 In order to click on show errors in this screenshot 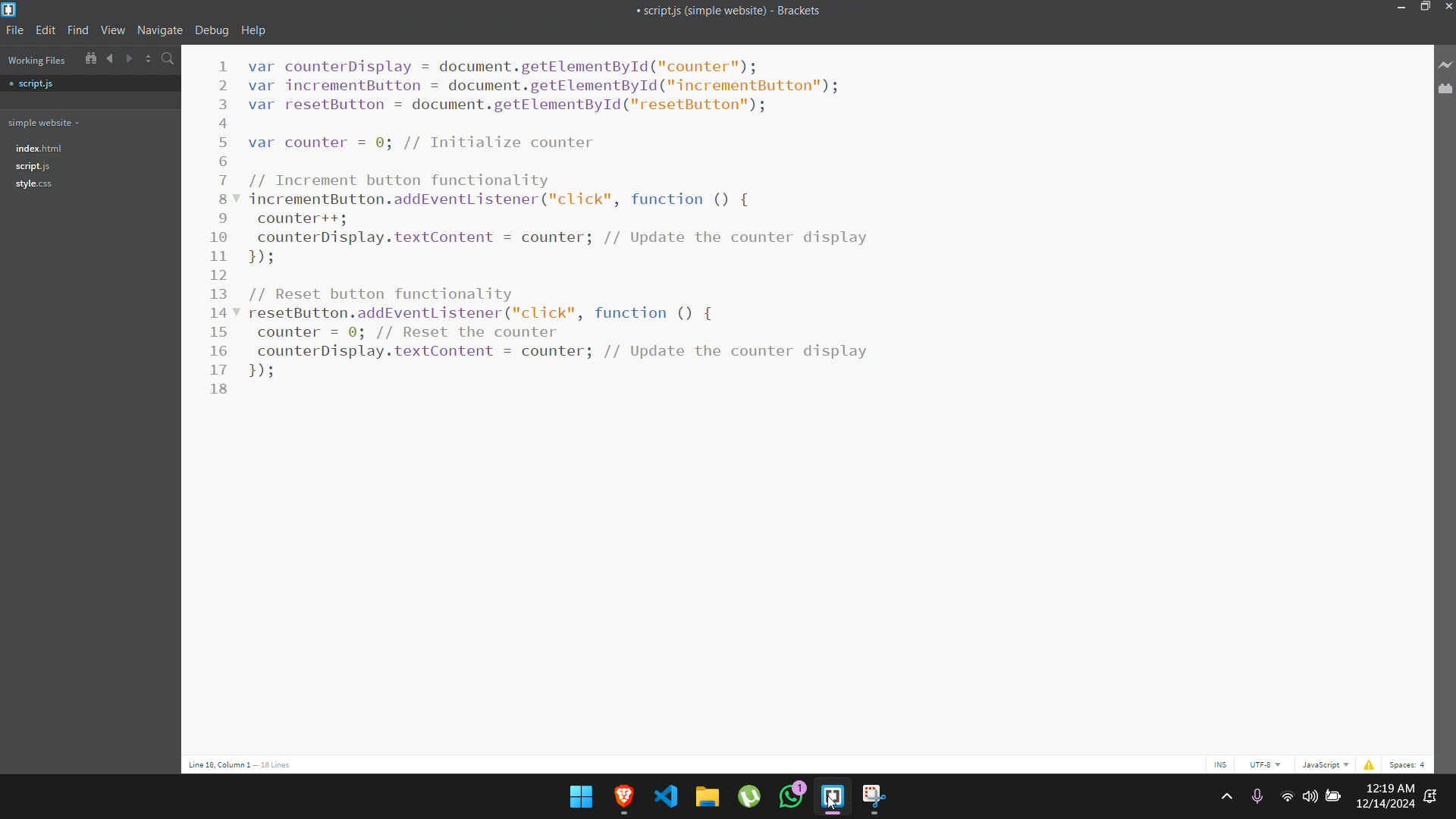, I will do `click(1369, 767)`.